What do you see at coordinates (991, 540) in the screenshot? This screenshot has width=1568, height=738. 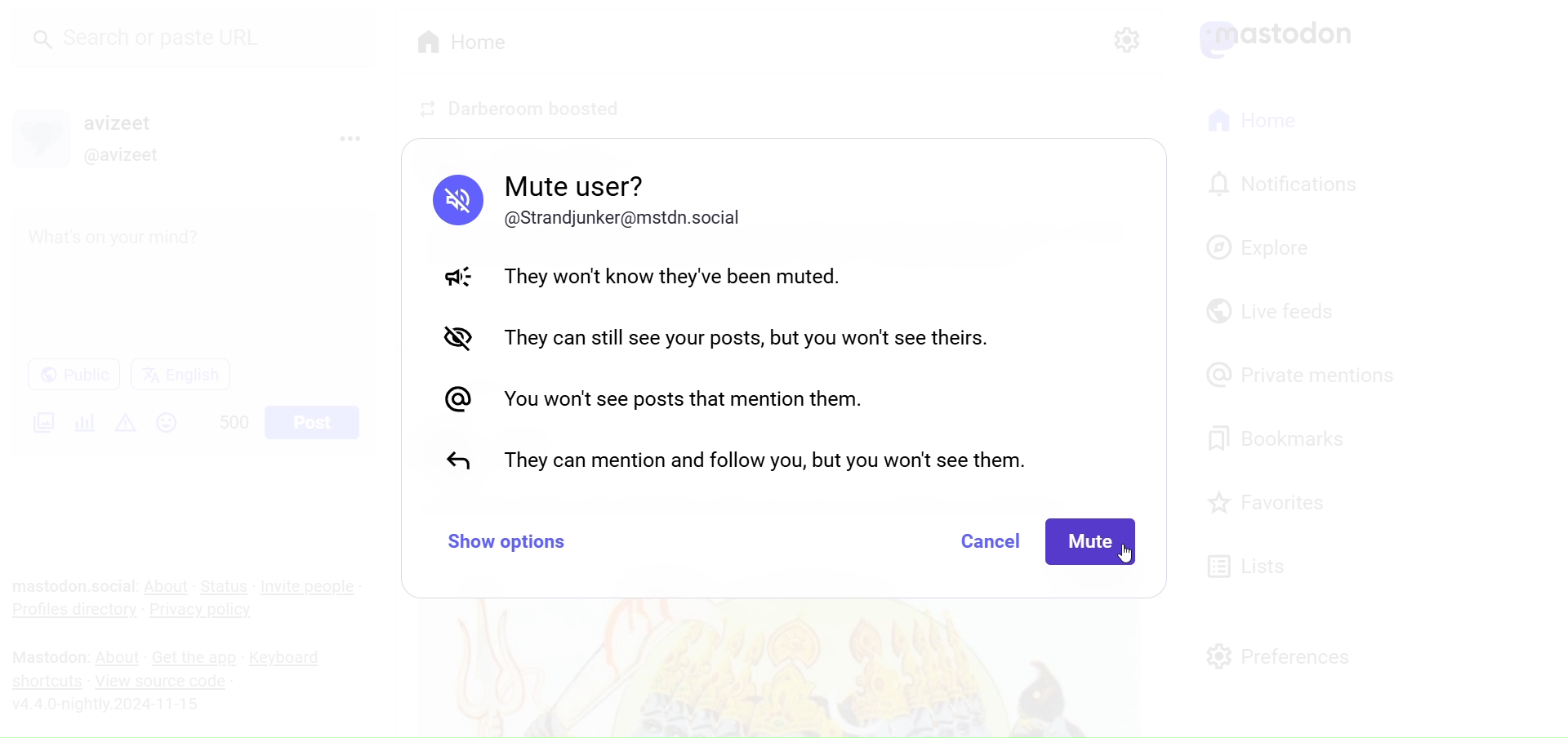 I see `Cancel` at bounding box center [991, 540].